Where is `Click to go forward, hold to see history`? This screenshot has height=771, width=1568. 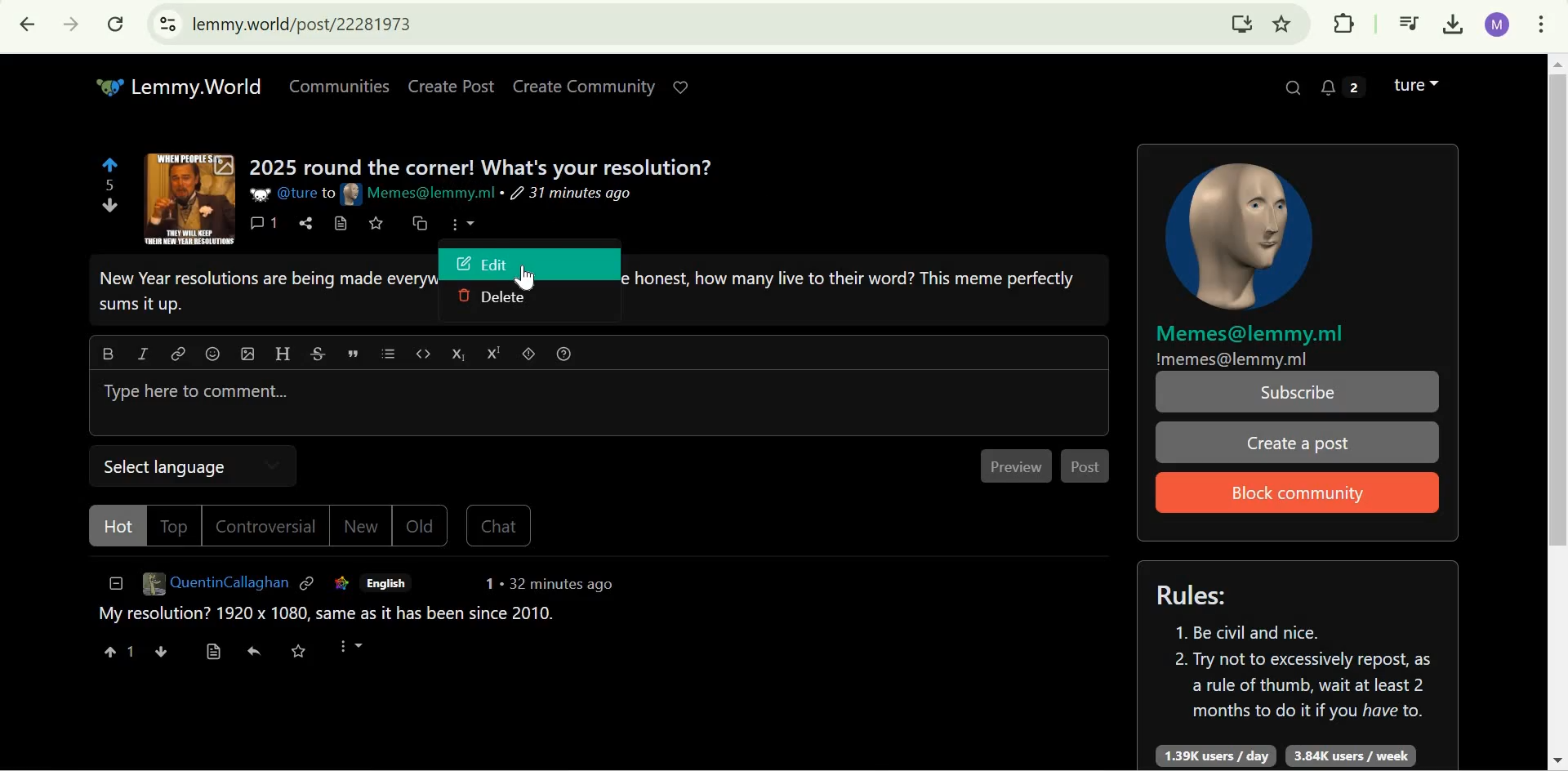
Click to go forward, hold to see history is located at coordinates (72, 25).